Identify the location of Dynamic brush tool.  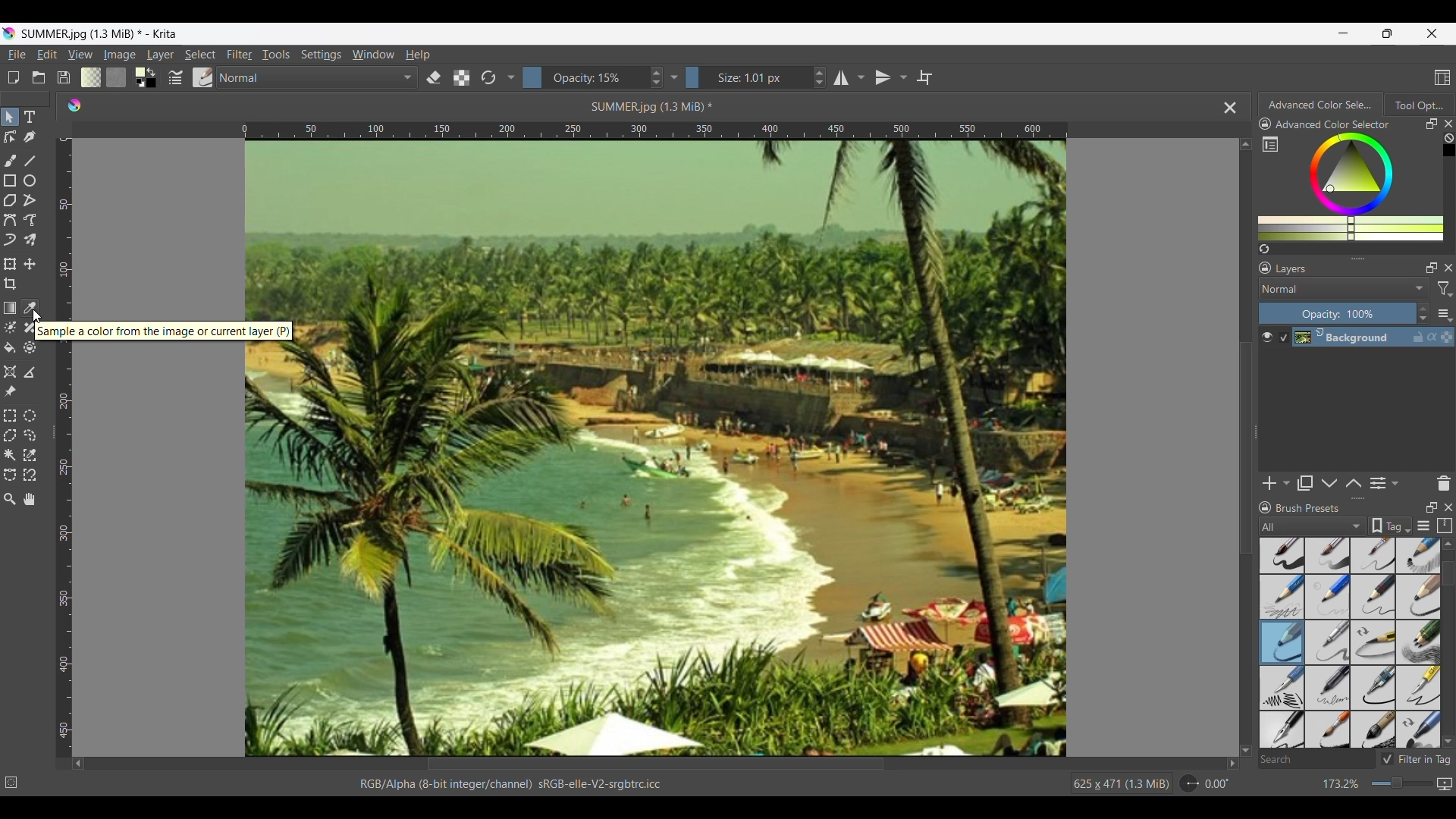
(10, 240).